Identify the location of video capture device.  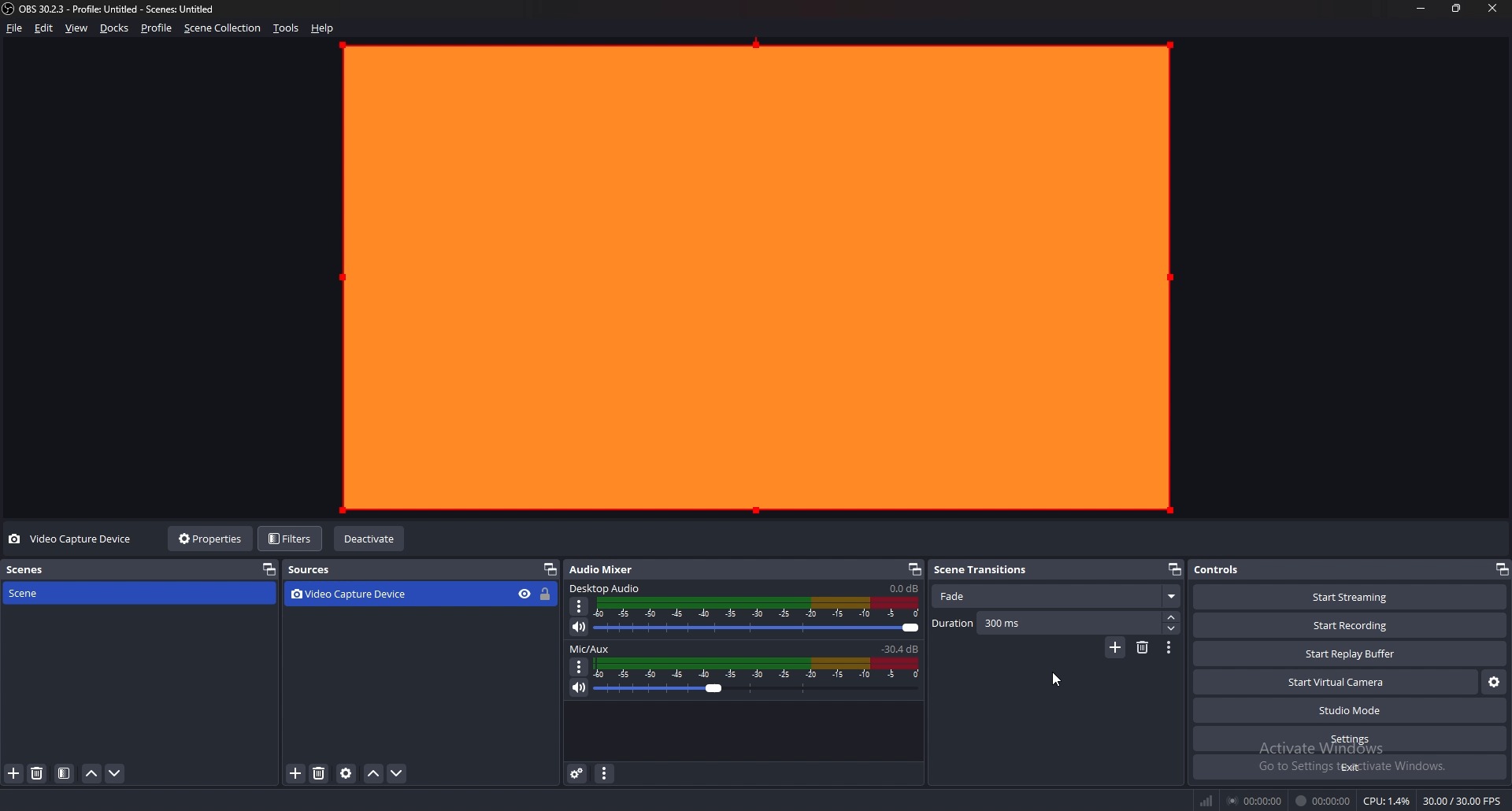
(72, 539).